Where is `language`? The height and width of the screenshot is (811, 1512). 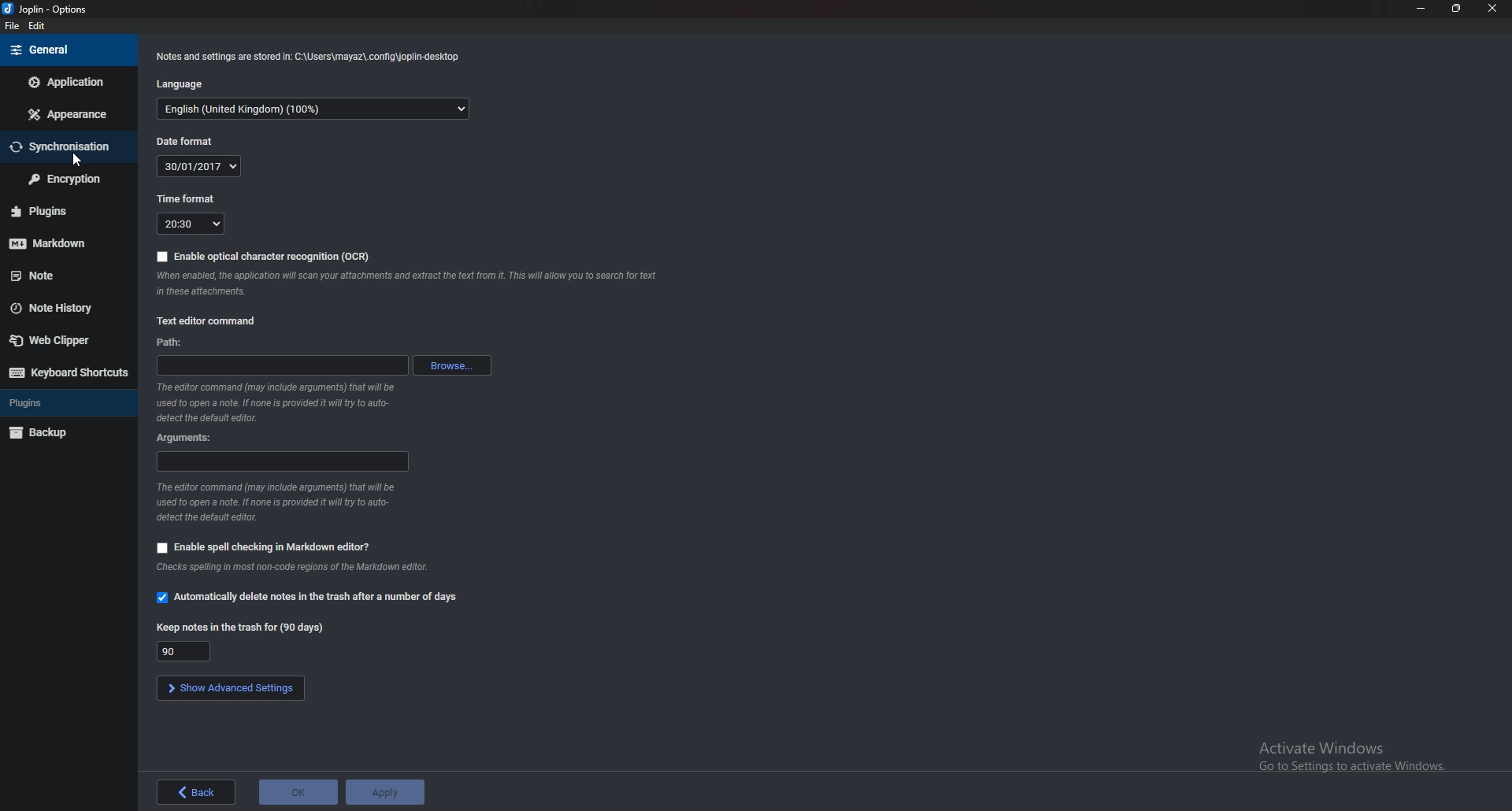
language is located at coordinates (314, 109).